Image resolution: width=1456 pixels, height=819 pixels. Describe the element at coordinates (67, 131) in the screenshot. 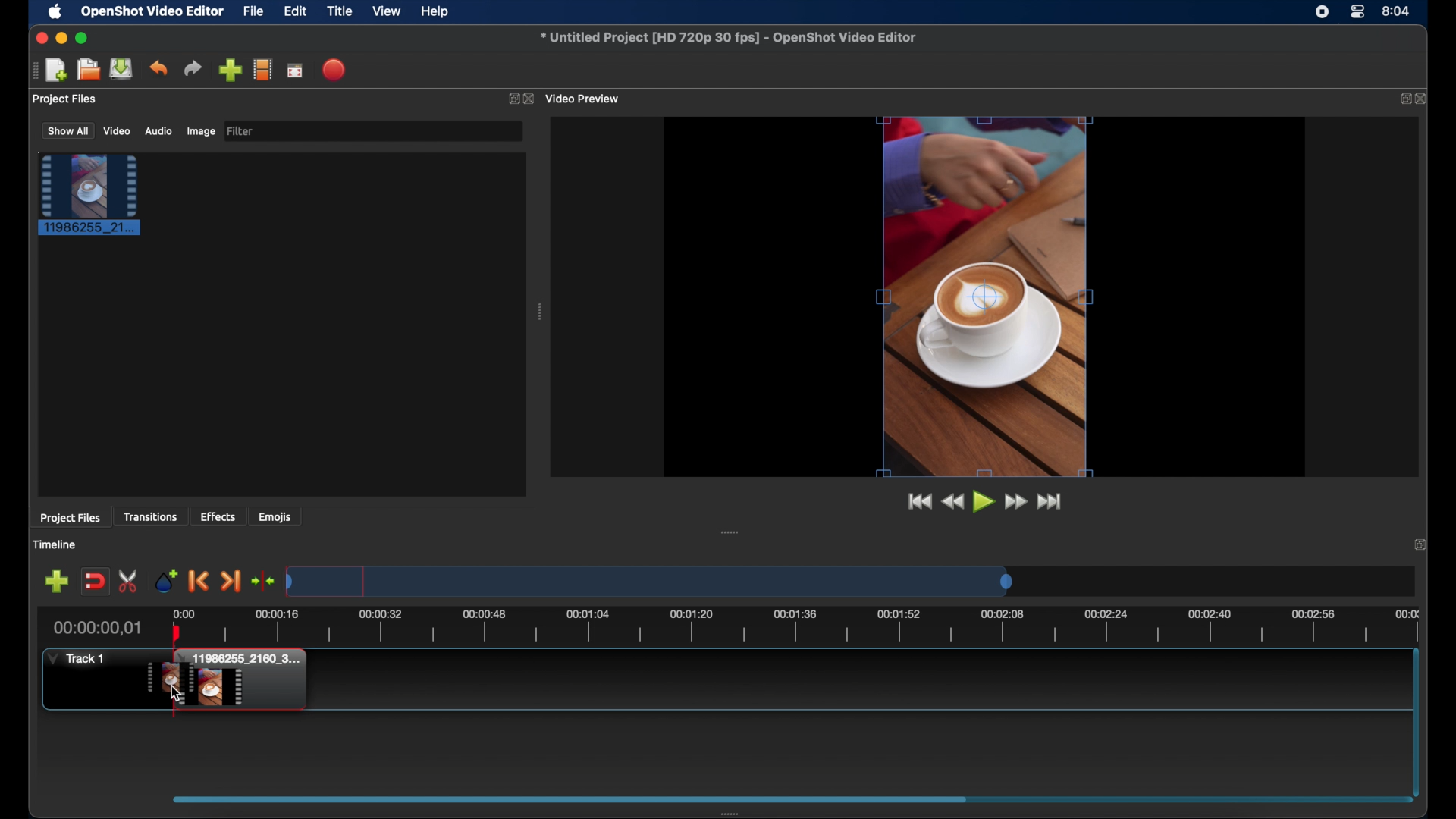

I see `show all` at that location.